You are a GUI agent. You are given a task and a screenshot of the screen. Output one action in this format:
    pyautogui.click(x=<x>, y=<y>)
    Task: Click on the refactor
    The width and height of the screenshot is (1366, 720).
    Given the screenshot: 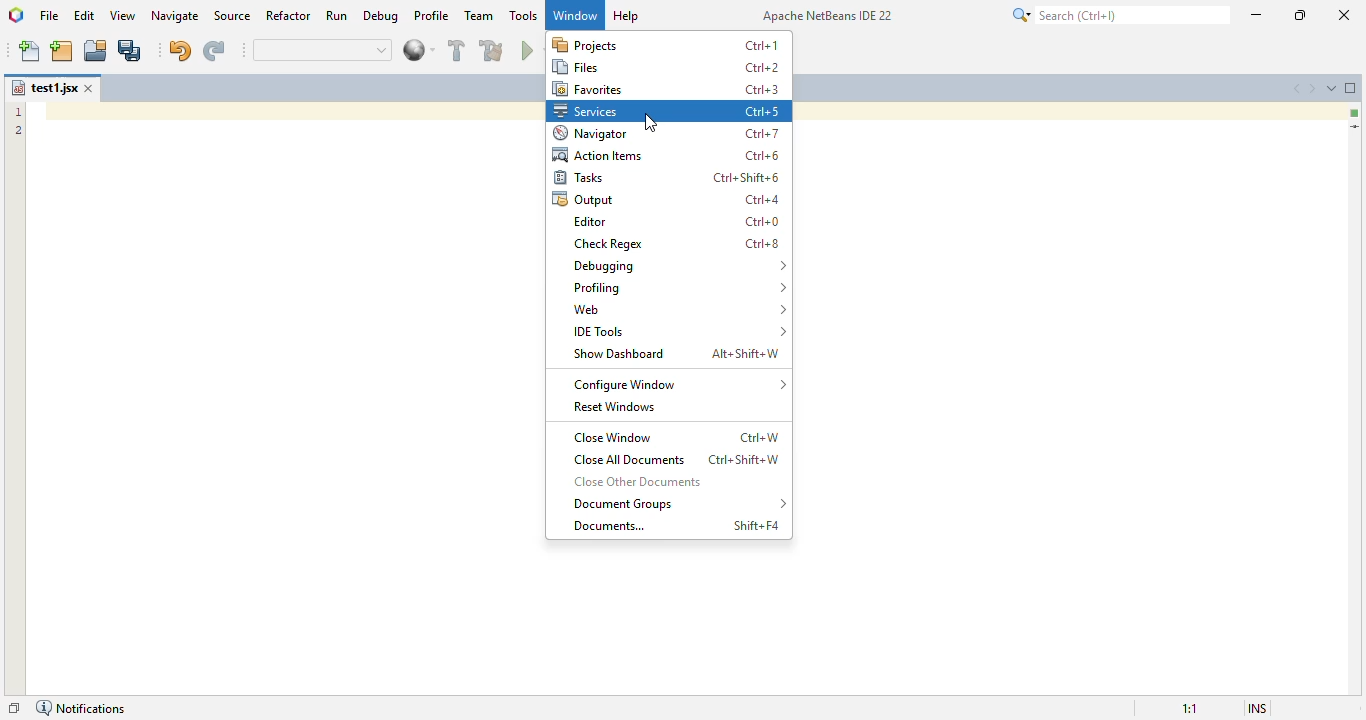 What is the action you would take?
    pyautogui.click(x=289, y=15)
    